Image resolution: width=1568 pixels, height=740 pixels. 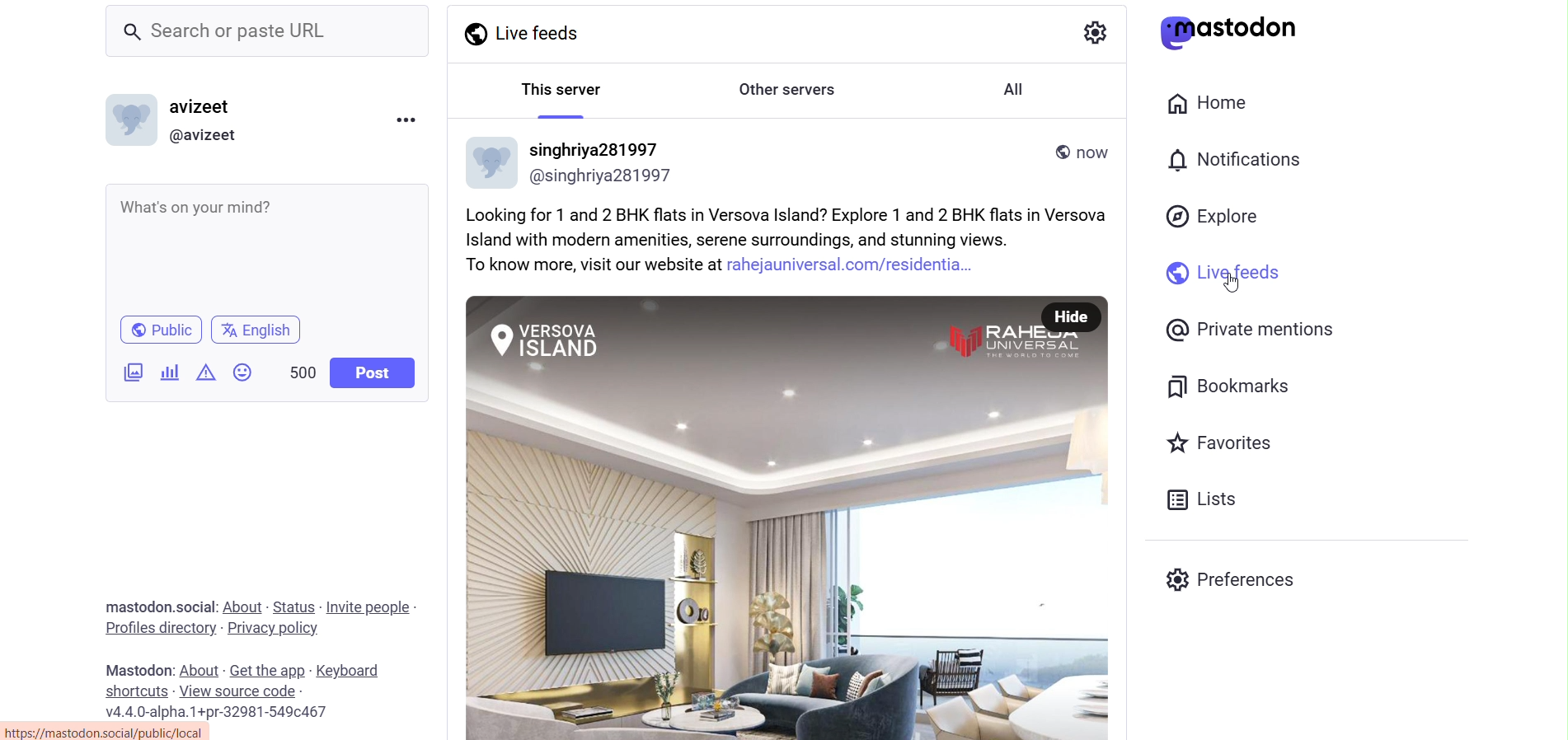 What do you see at coordinates (170, 372) in the screenshot?
I see `poll` at bounding box center [170, 372].